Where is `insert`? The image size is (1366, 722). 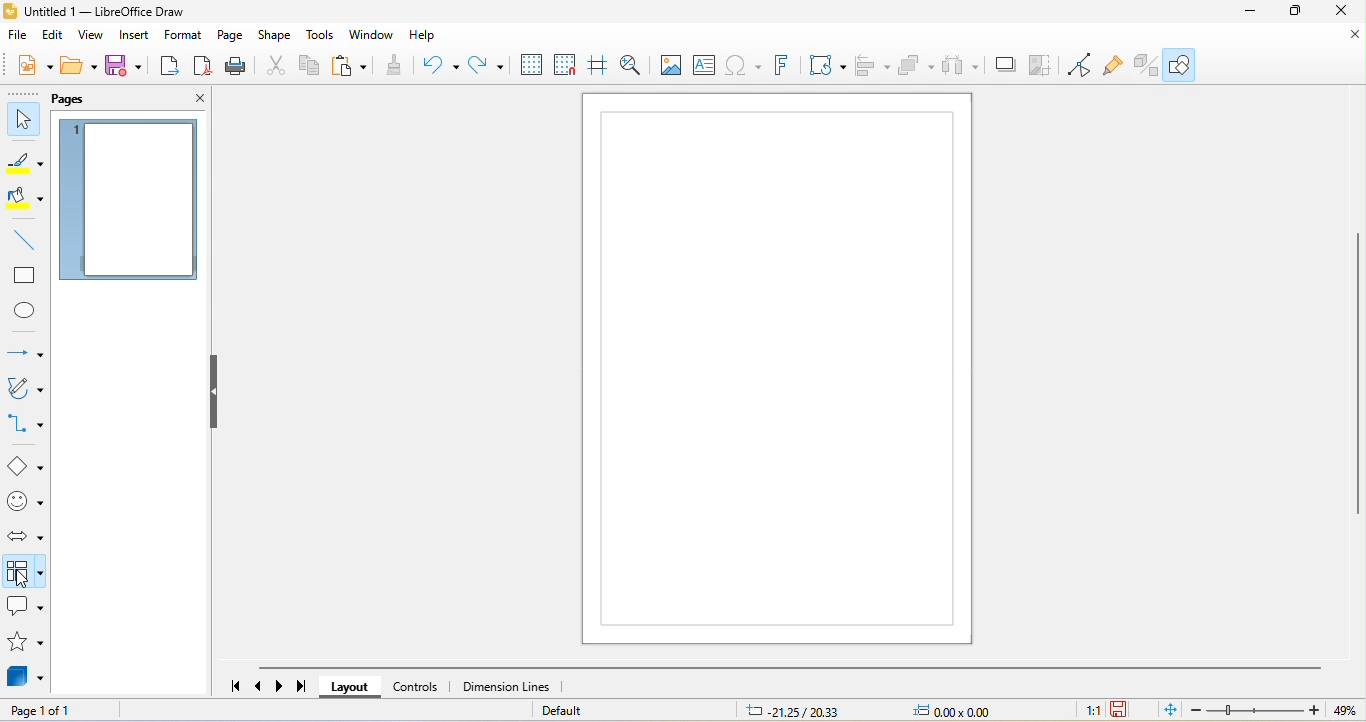
insert is located at coordinates (136, 38).